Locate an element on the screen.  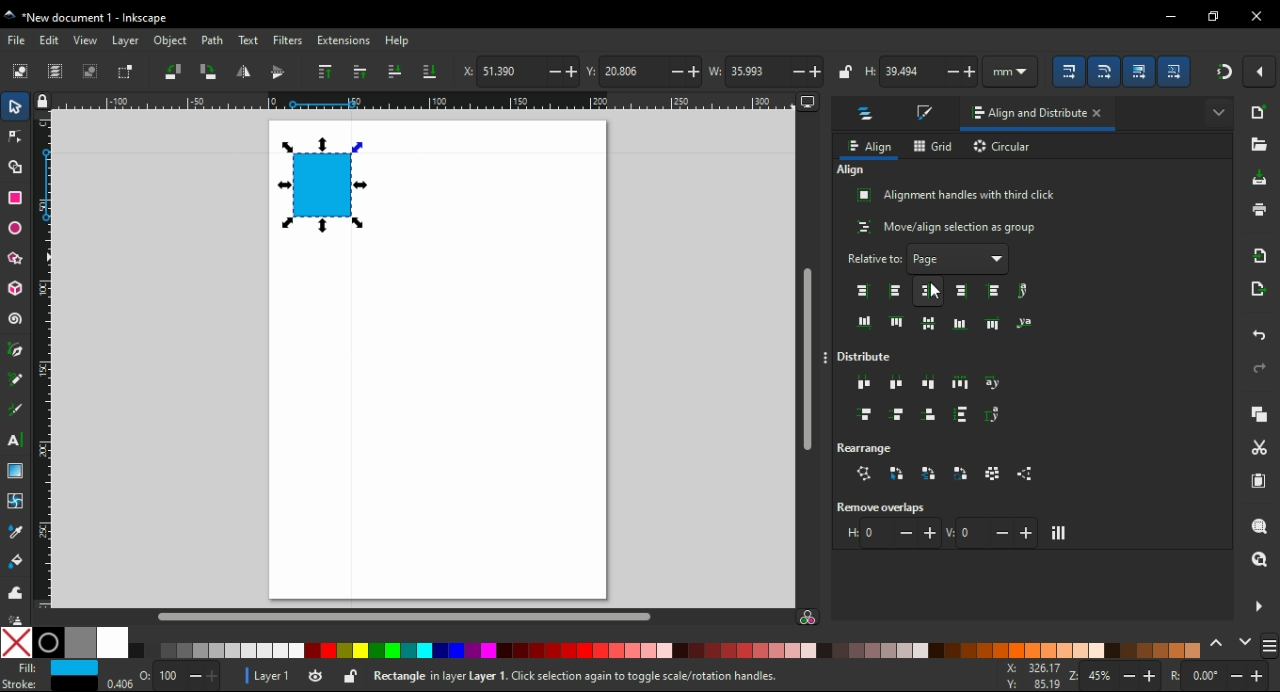
align bottom edges is located at coordinates (929, 324).